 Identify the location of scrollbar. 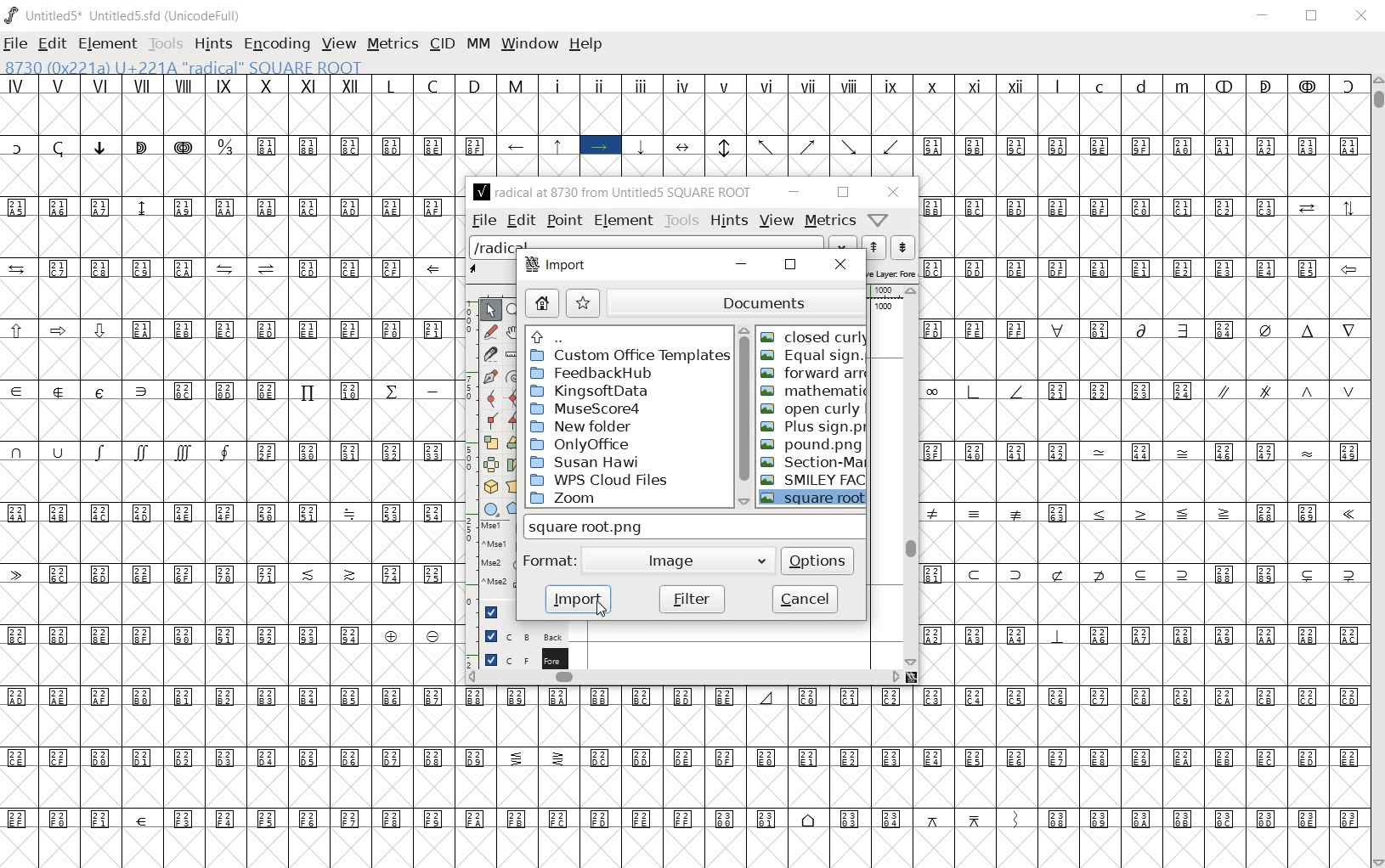
(684, 679).